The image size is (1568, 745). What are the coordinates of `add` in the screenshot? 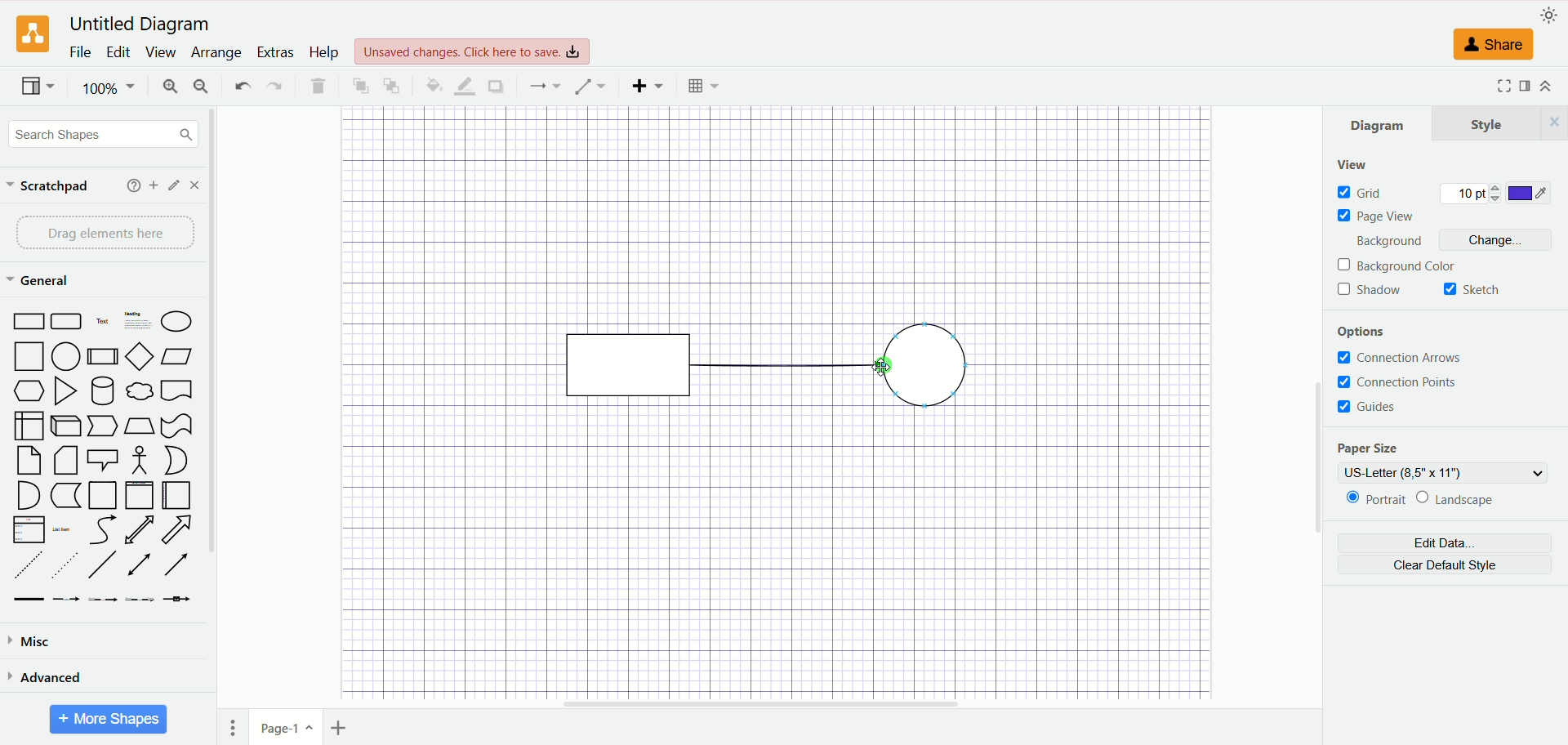 It's located at (152, 185).